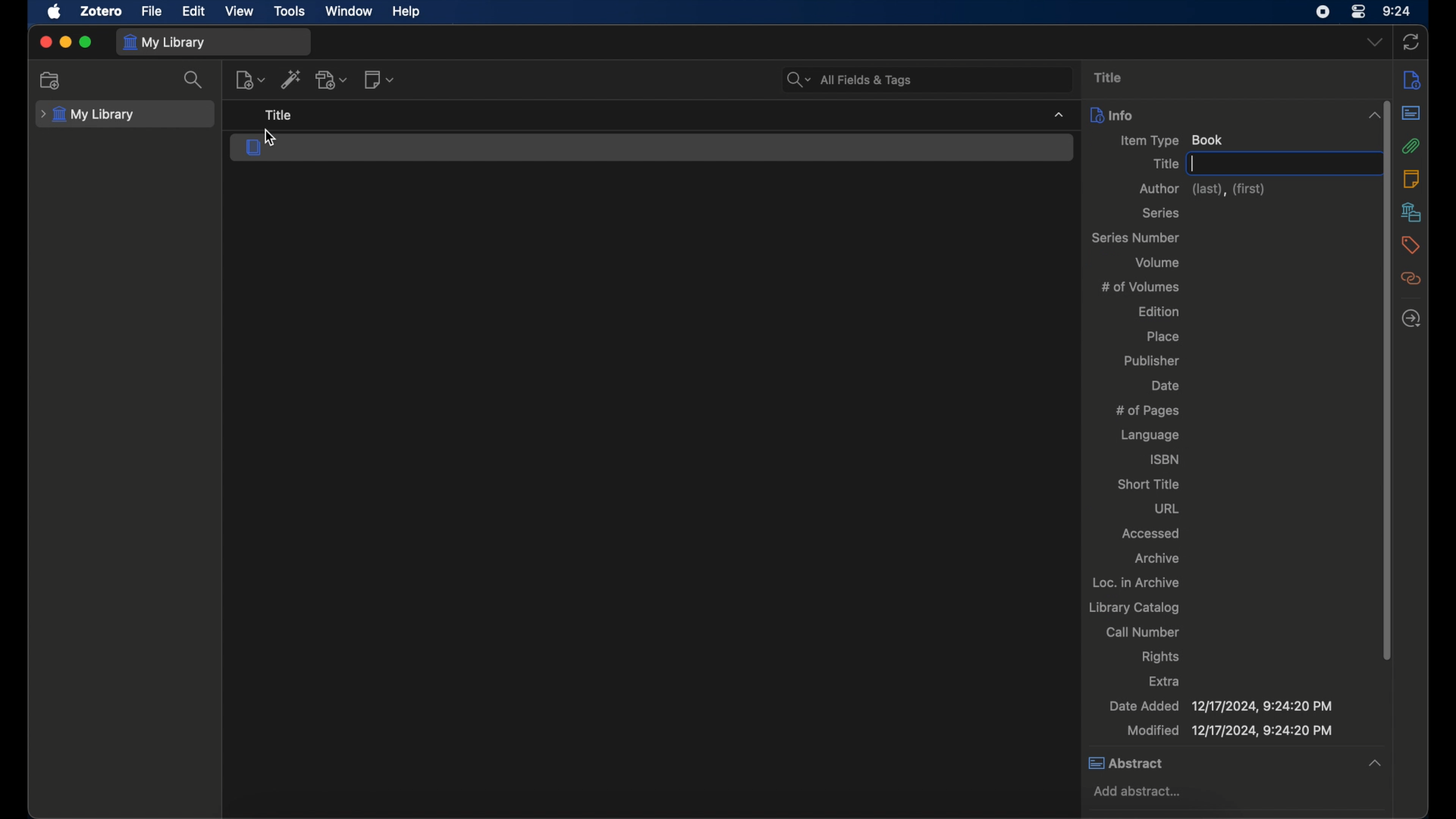 The image size is (1456, 819). What do you see at coordinates (1376, 42) in the screenshot?
I see `dropdown` at bounding box center [1376, 42].